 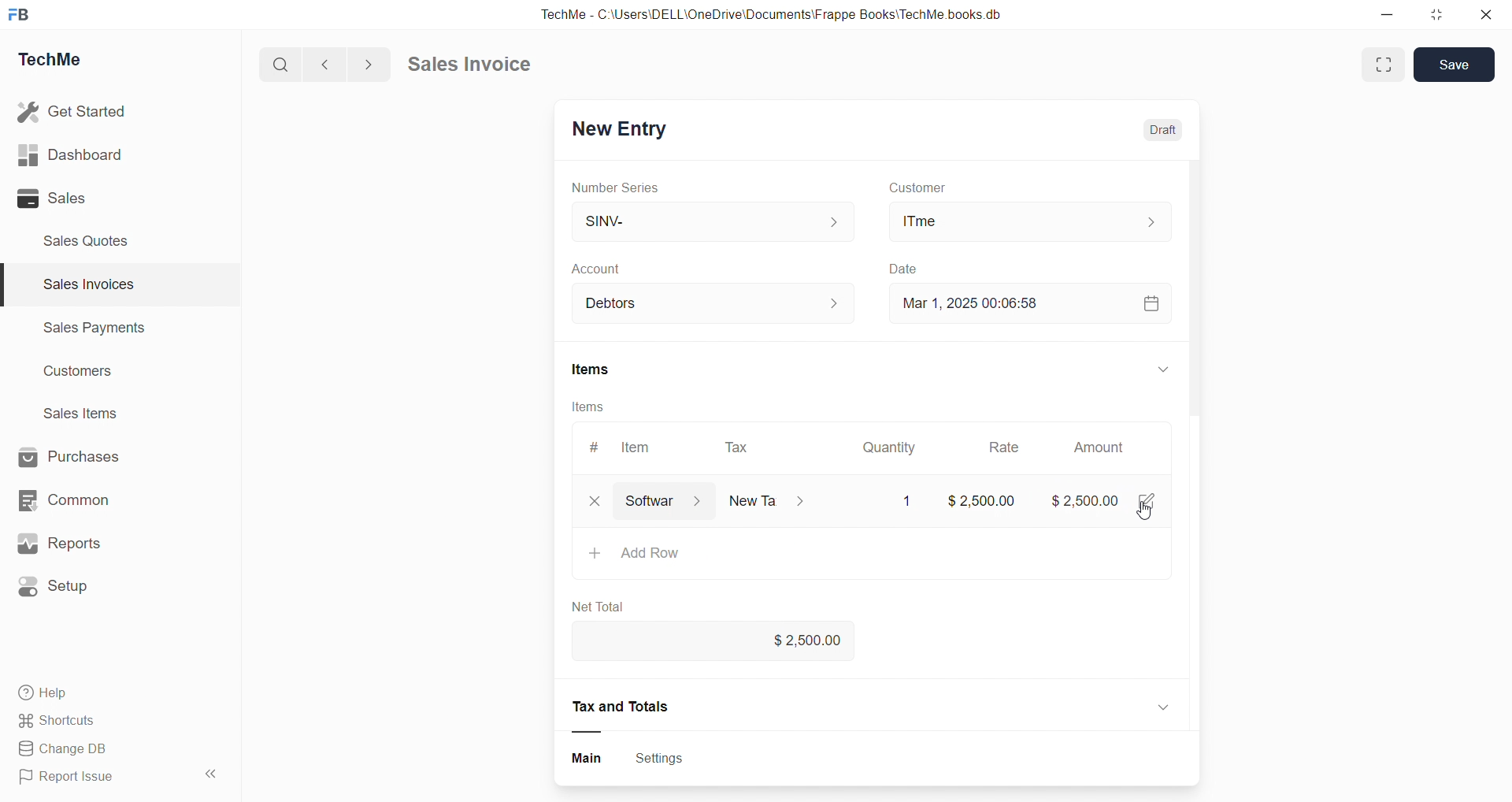 I want to click on $0.00, so click(x=993, y=500).